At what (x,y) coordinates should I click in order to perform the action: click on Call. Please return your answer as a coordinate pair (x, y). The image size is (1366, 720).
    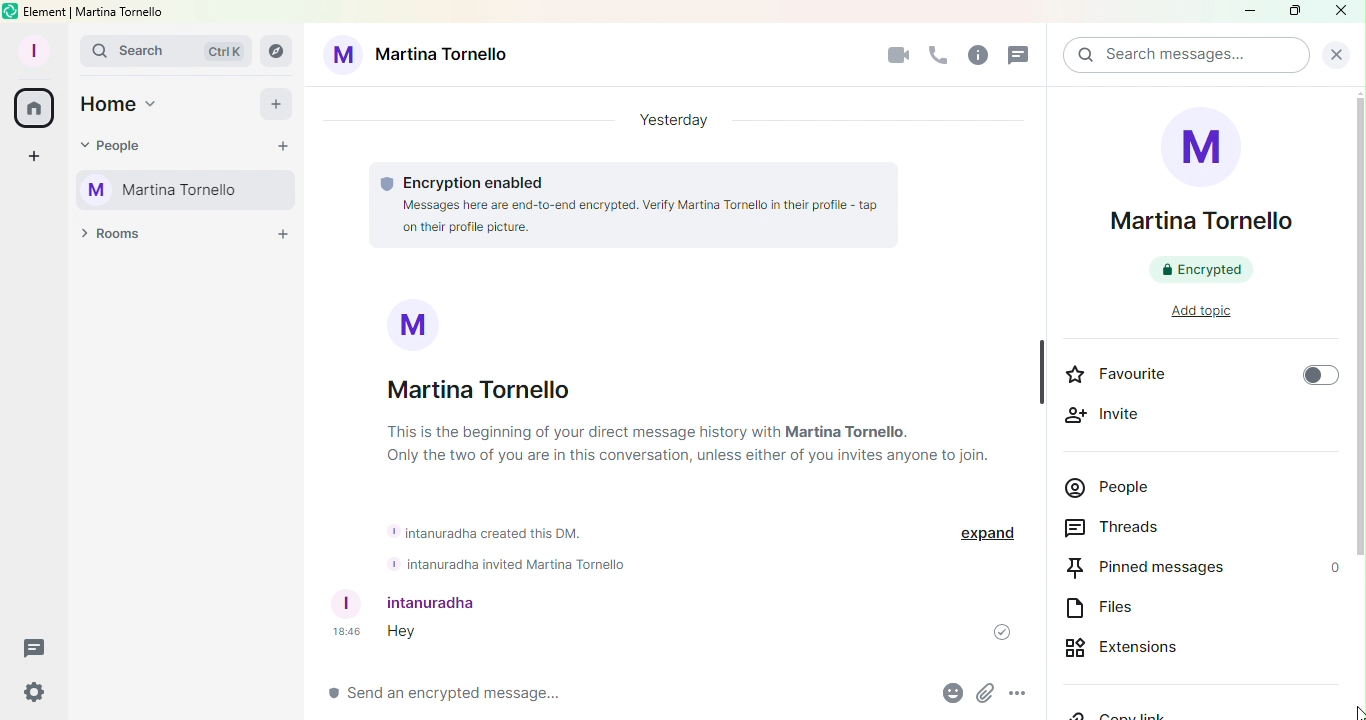
    Looking at the image, I should click on (939, 55).